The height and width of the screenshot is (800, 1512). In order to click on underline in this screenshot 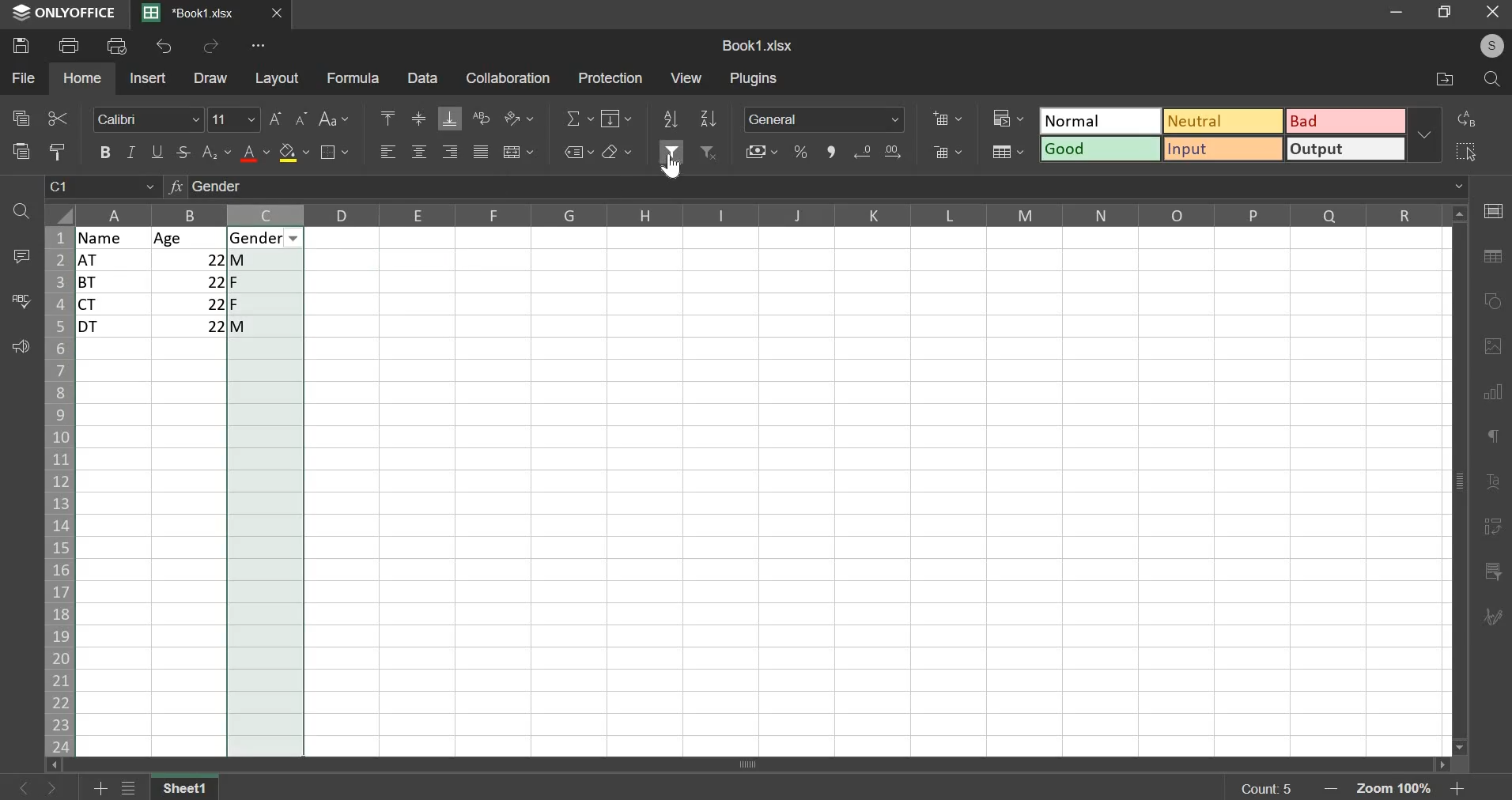, I will do `click(159, 151)`.